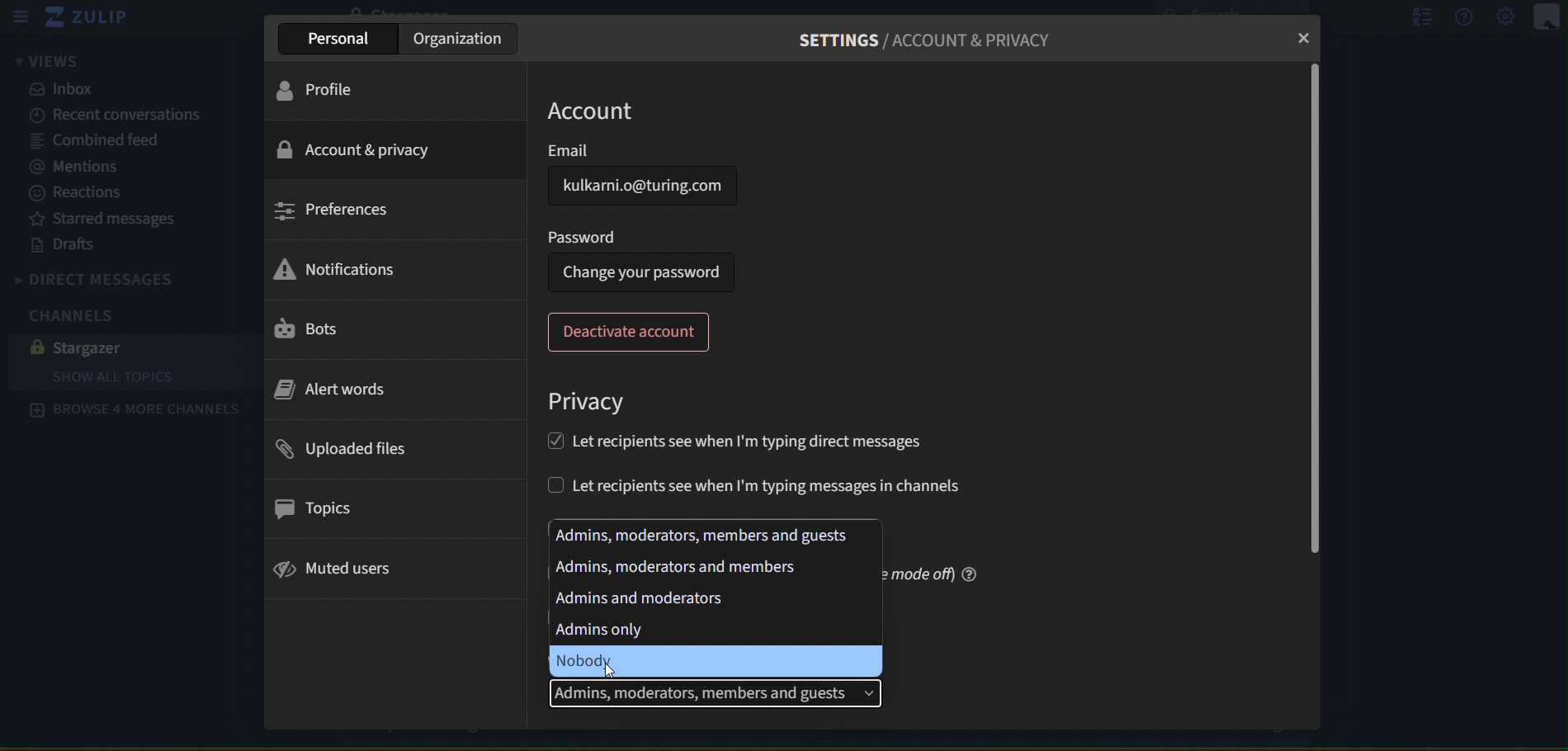 This screenshot has height=751, width=1568. Describe the element at coordinates (460, 38) in the screenshot. I see `organization` at that location.